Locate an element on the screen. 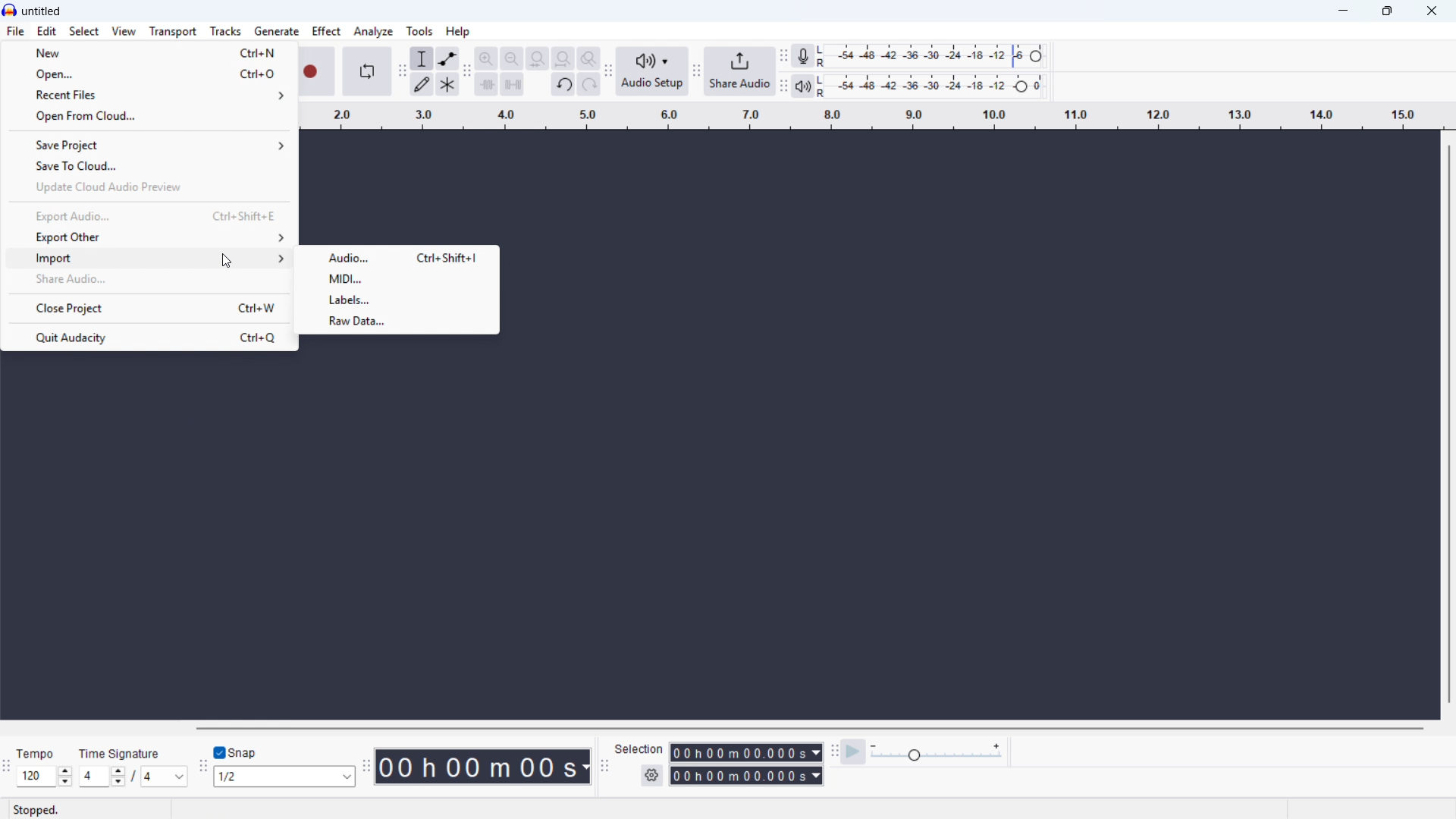  Share audio toolbar  is located at coordinates (695, 73).